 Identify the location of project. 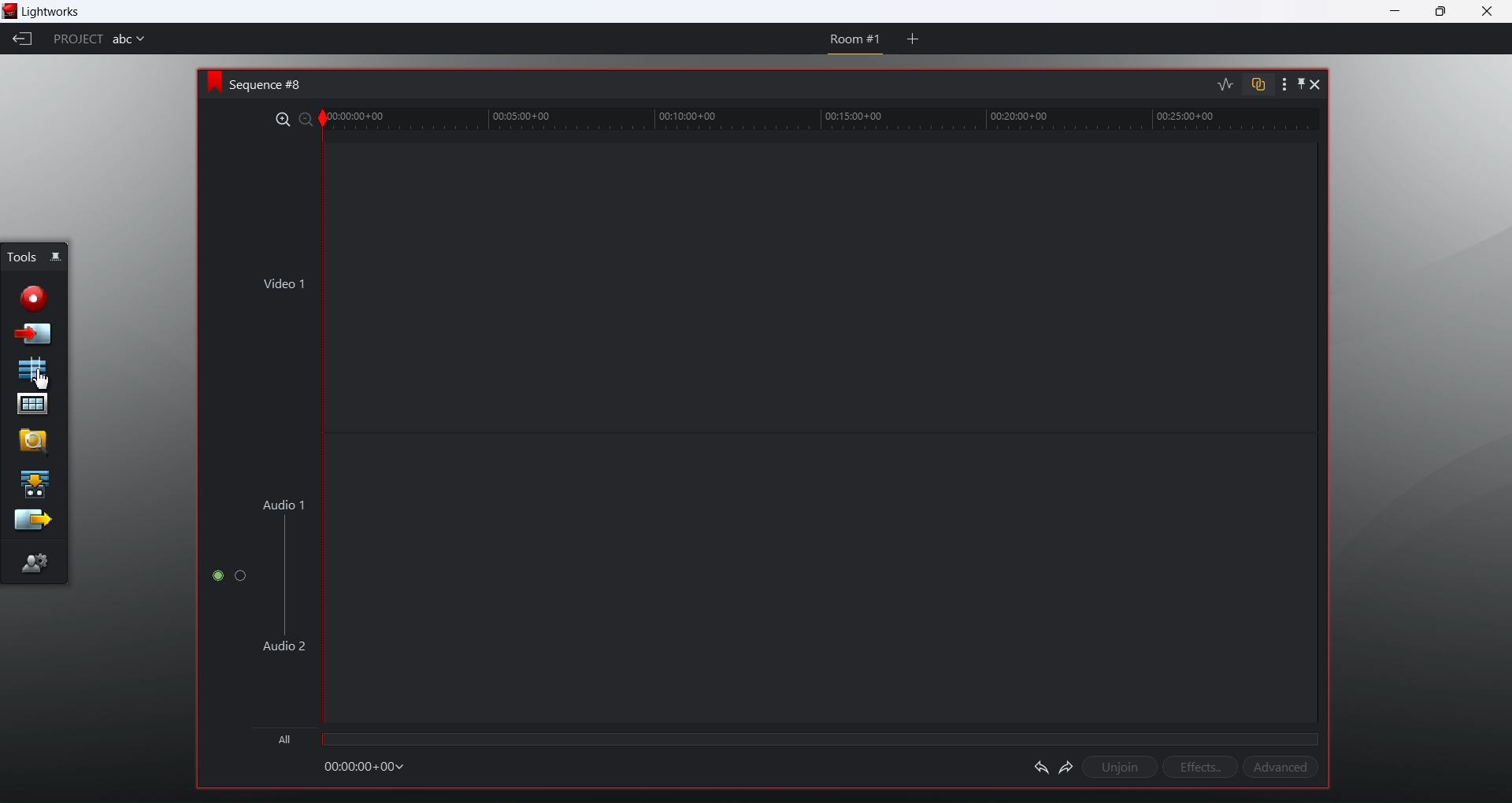
(78, 41).